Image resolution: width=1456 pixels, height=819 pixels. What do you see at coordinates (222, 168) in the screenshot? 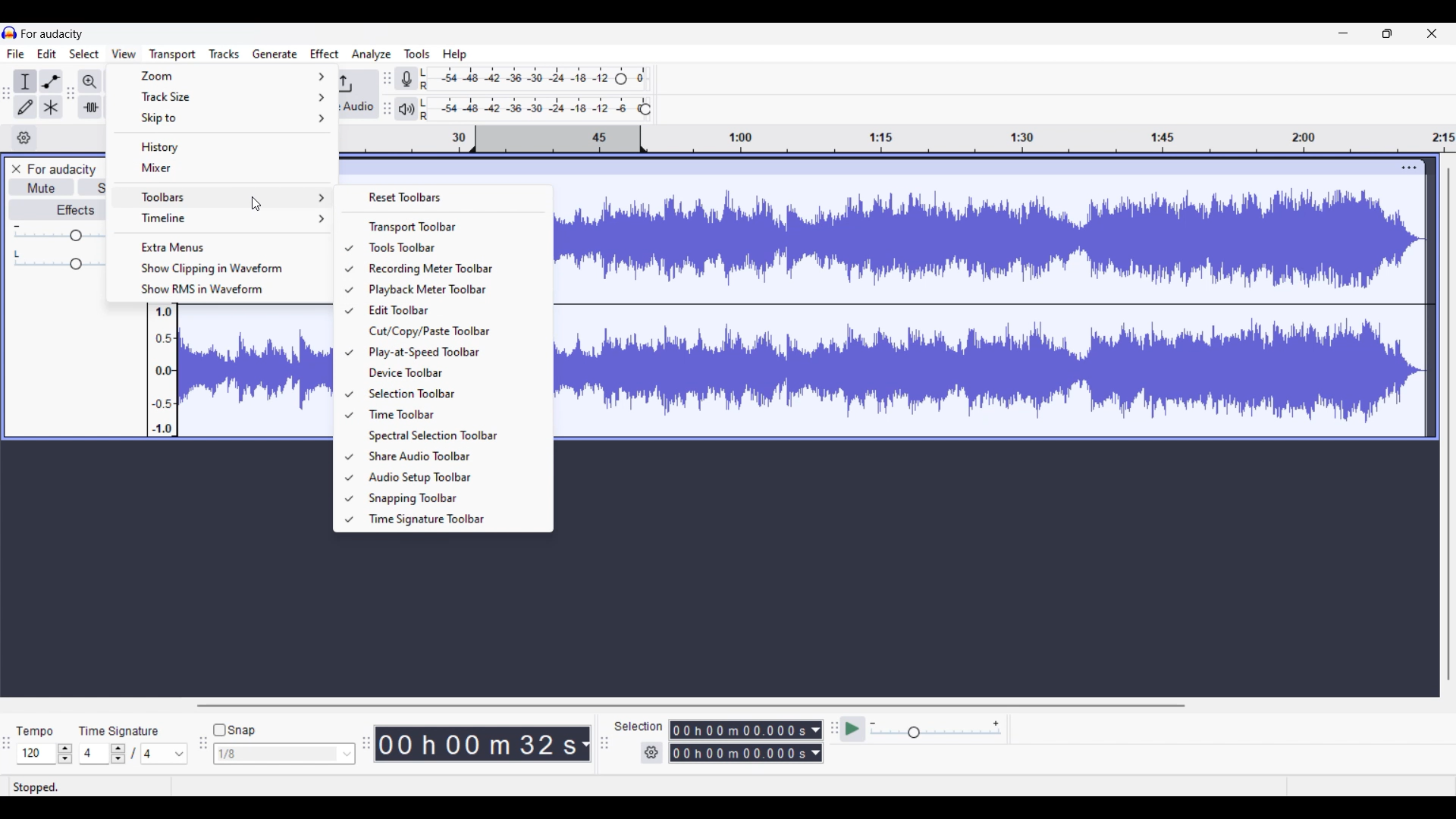
I see `Mixer` at bounding box center [222, 168].